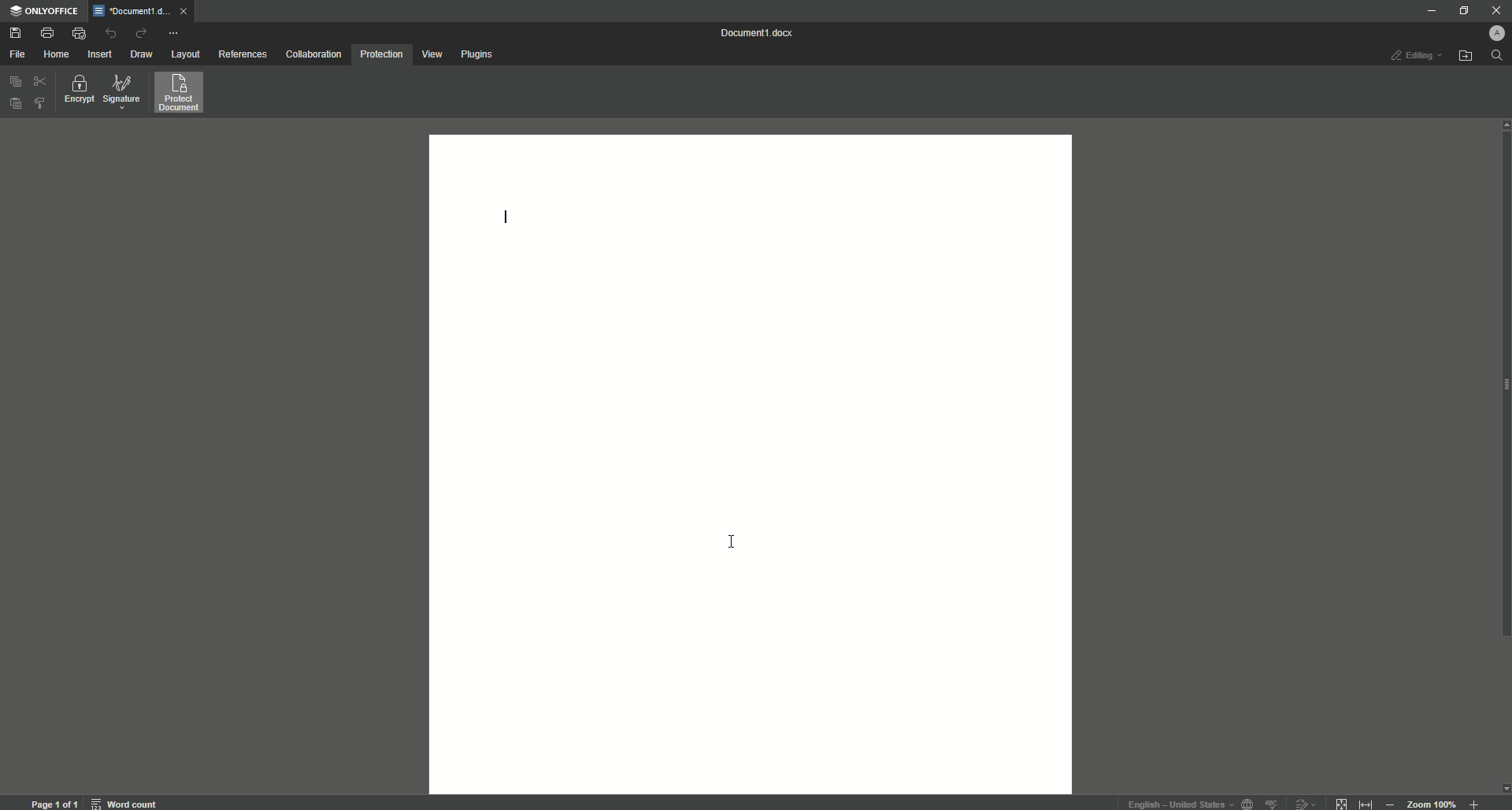  I want to click on Signature, so click(122, 92).